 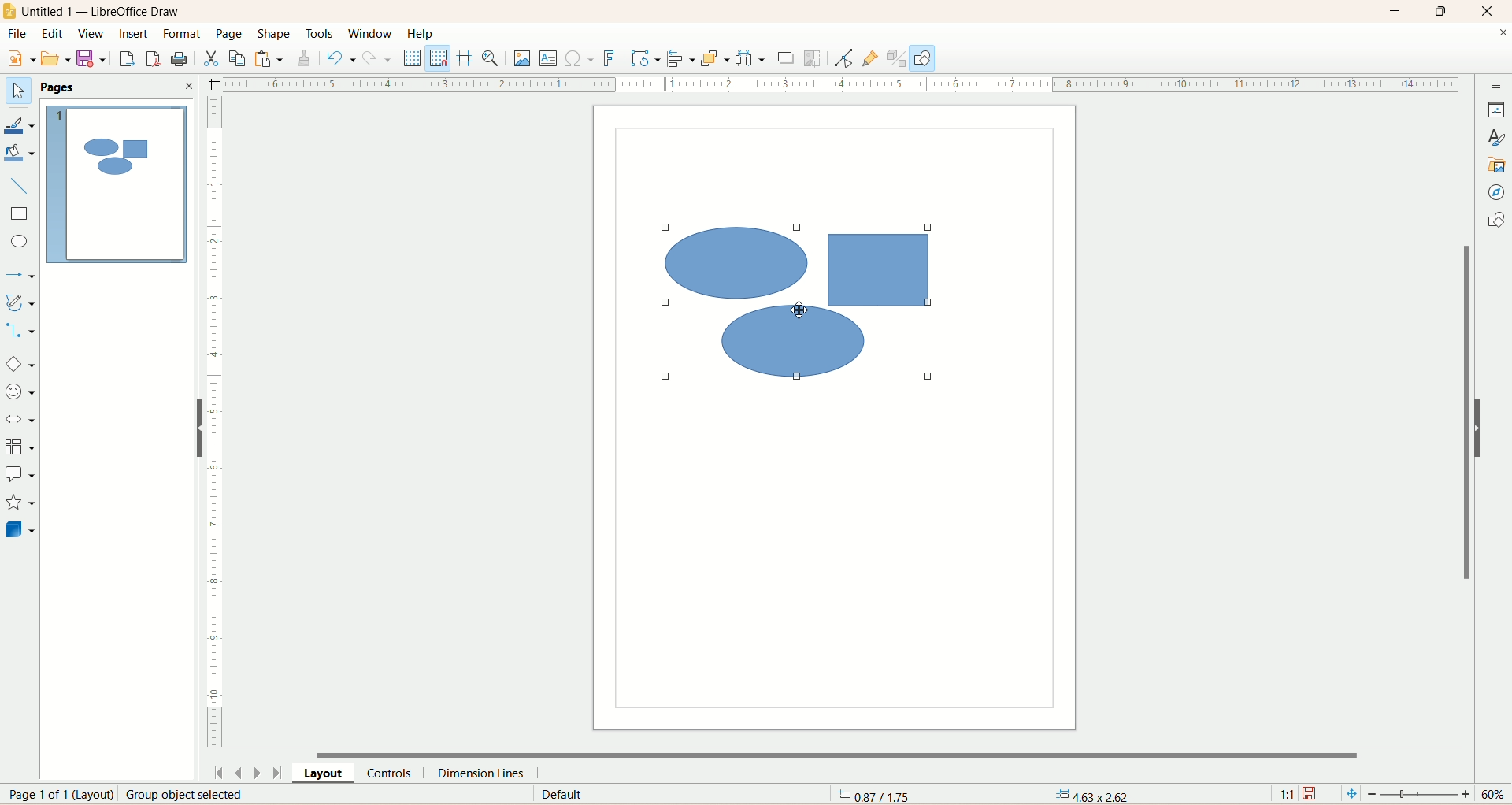 I want to click on select atleast three object to distribute, so click(x=750, y=58).